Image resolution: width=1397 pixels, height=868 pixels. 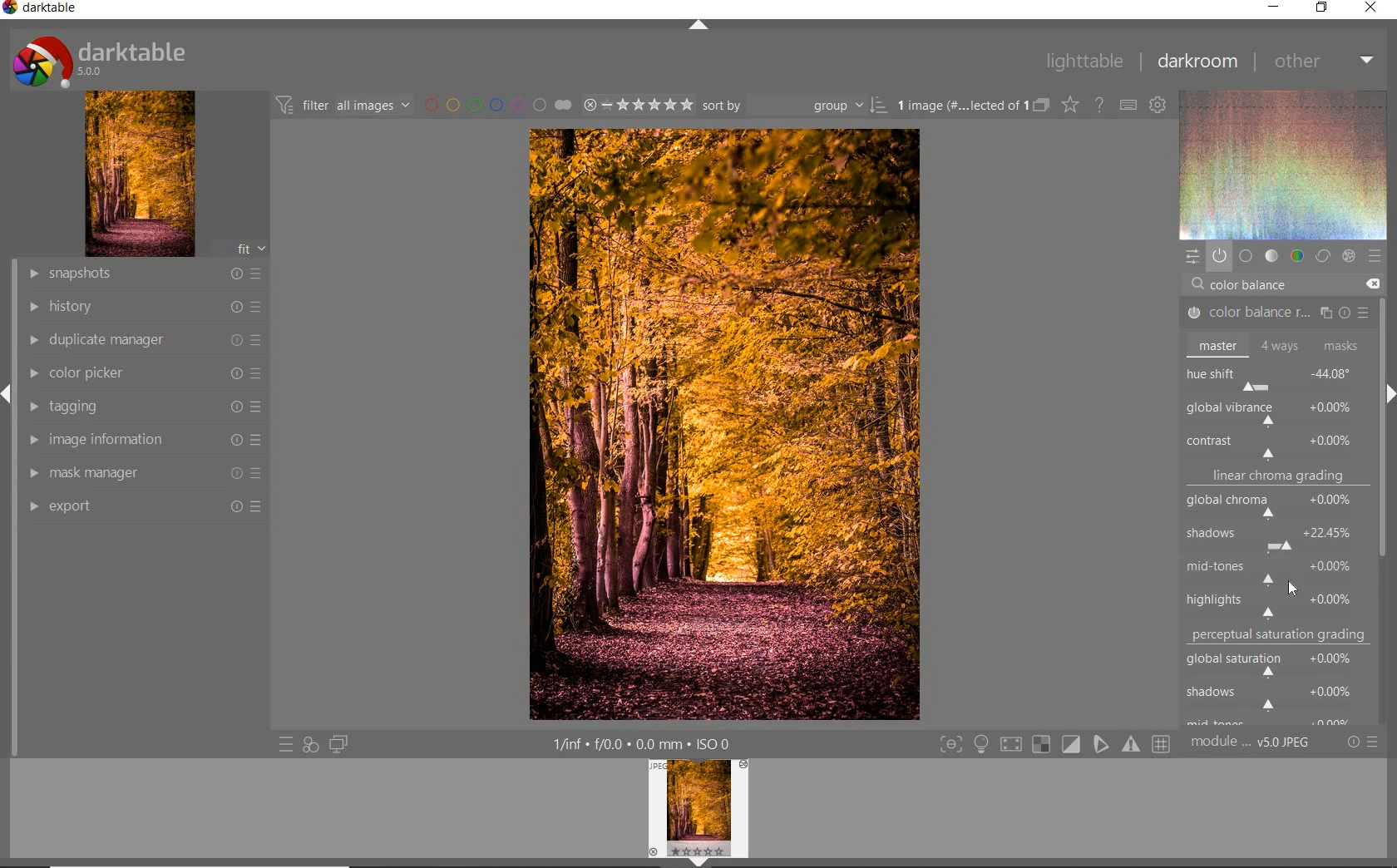 I want to click on hue shift, so click(x=1277, y=377).